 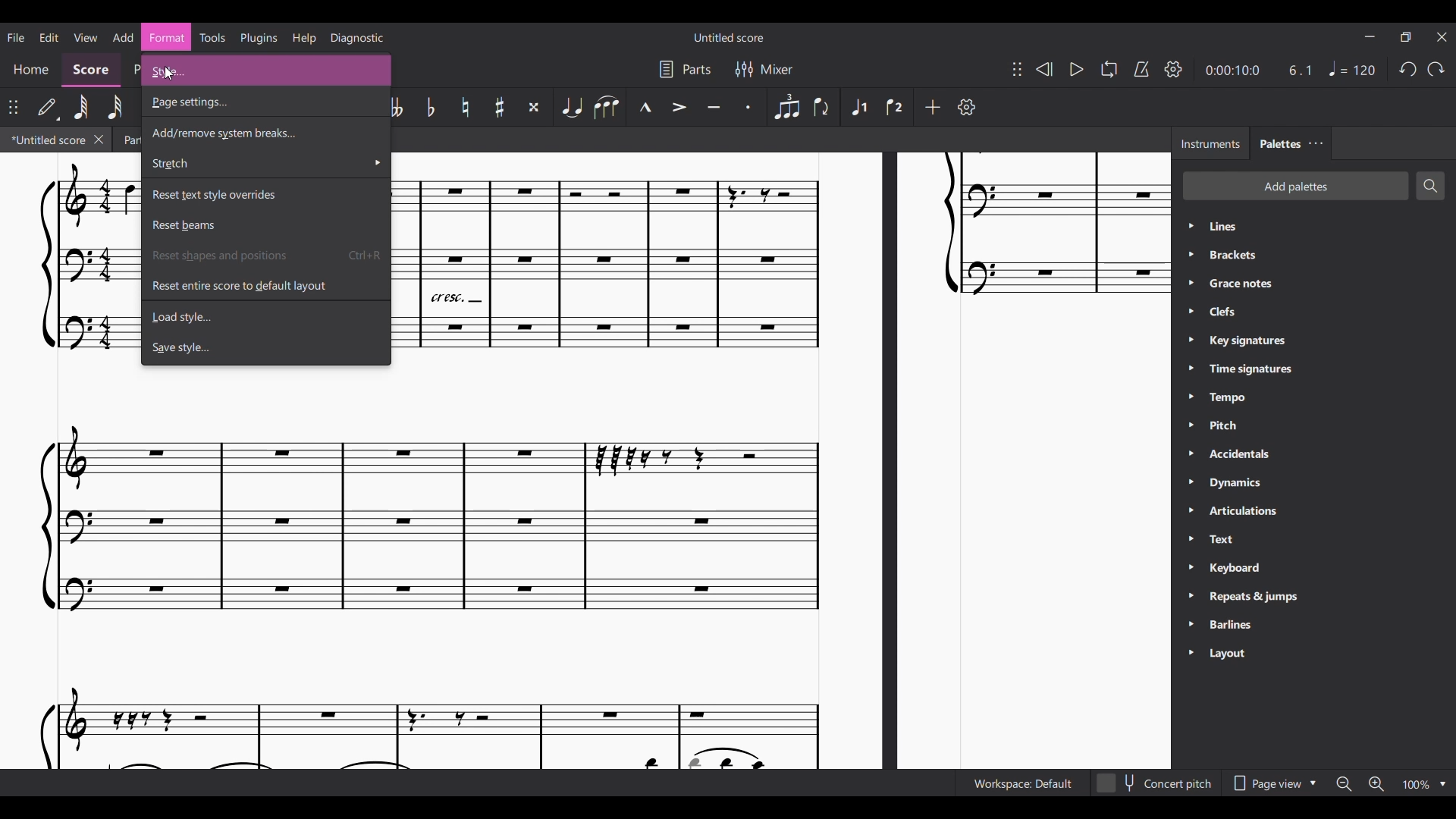 I want to click on Playback settings, so click(x=1174, y=68).